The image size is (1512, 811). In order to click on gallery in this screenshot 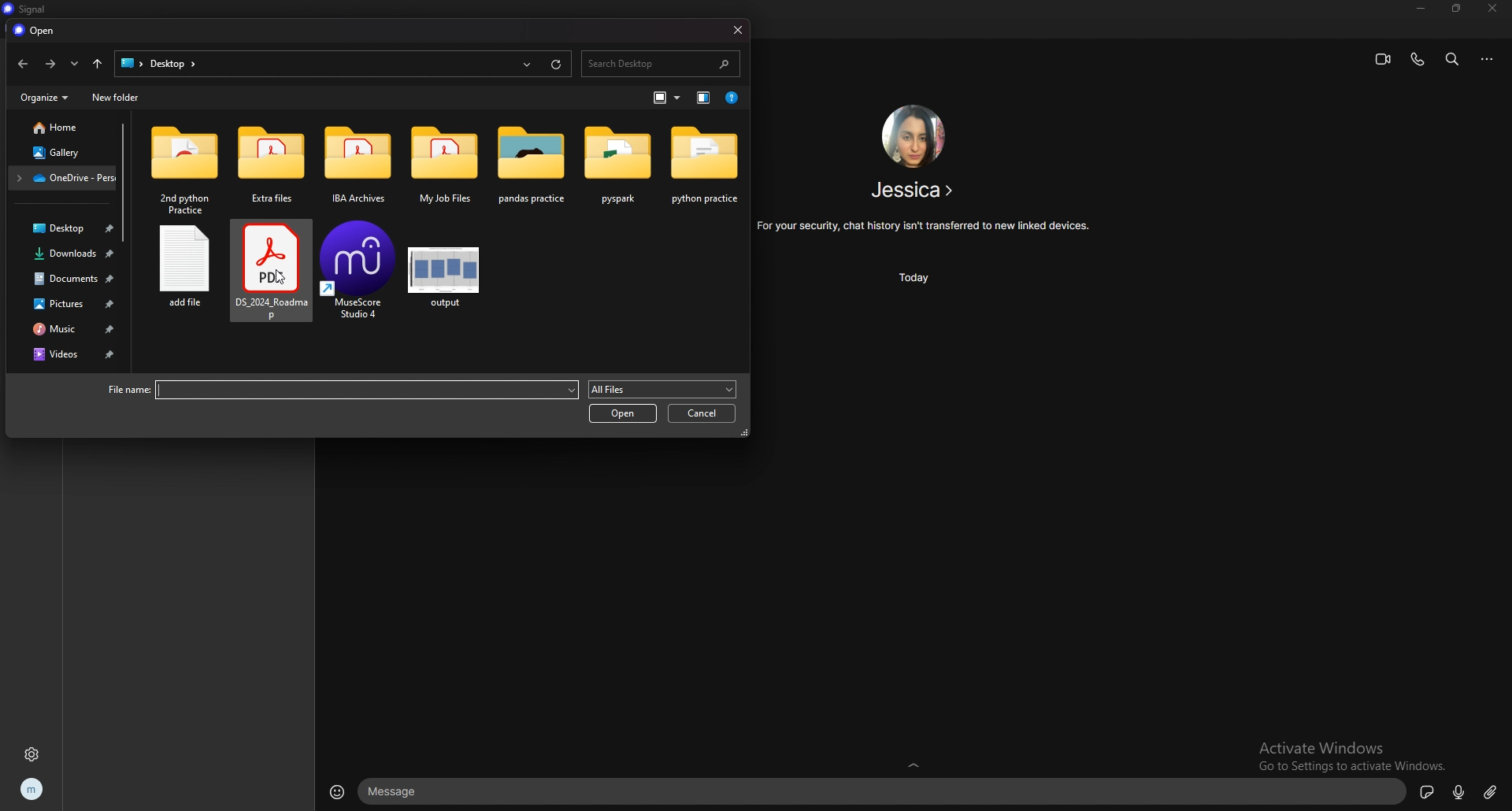, I will do `click(61, 154)`.